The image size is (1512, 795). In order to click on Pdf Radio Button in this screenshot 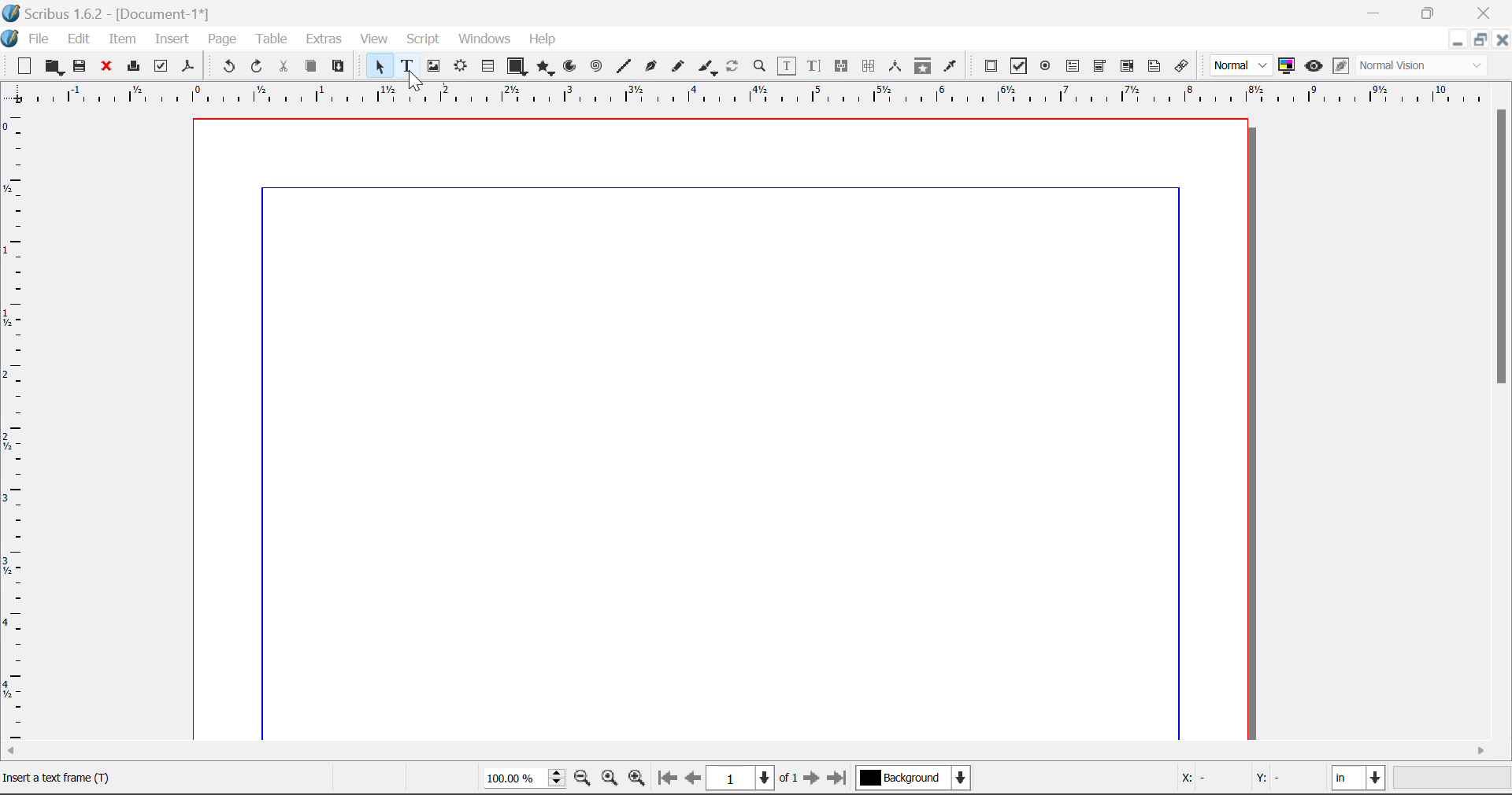, I will do `click(1045, 67)`.